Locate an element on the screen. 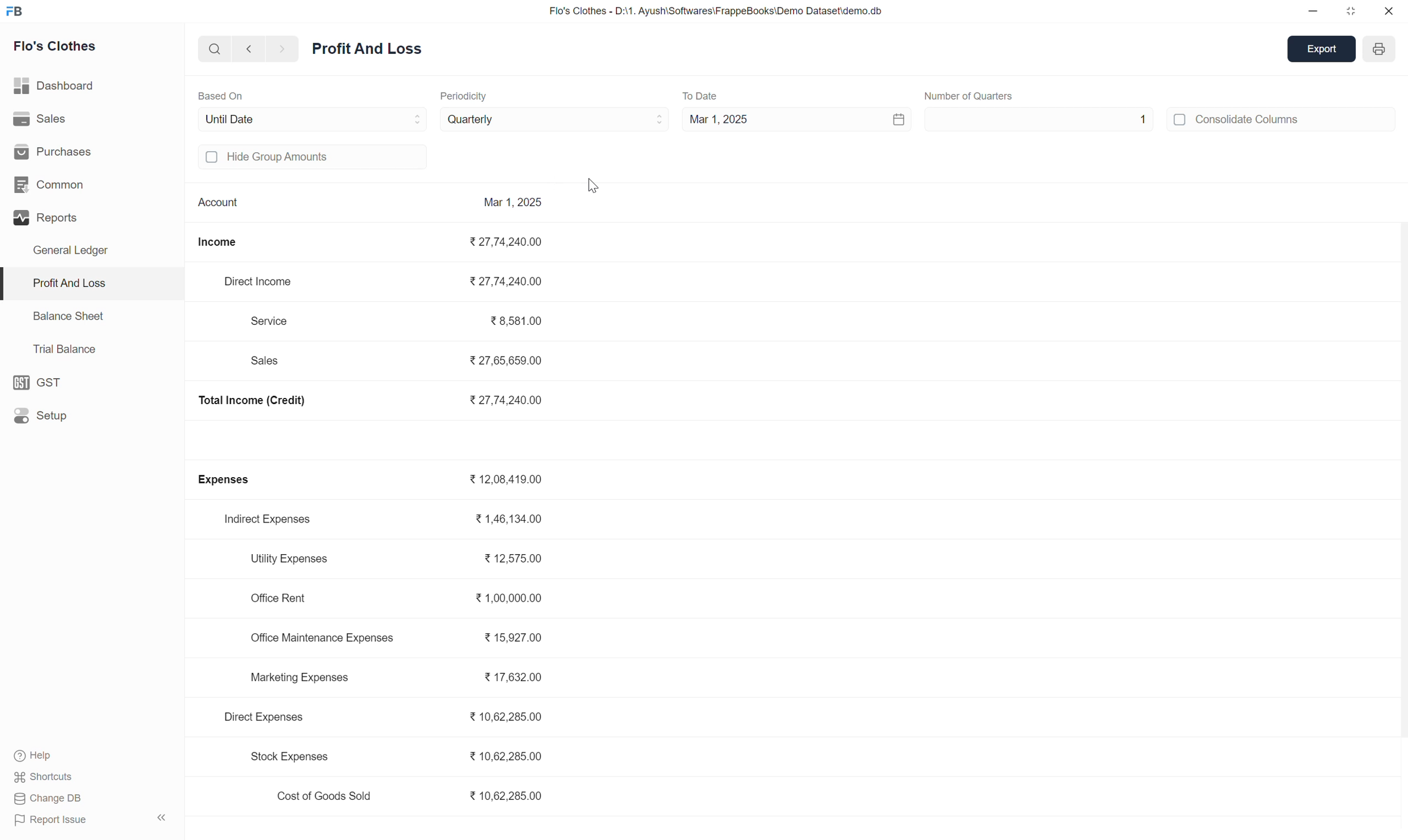 The height and width of the screenshot is (840, 1408). "Based On" dropdown is located at coordinates (410, 118).